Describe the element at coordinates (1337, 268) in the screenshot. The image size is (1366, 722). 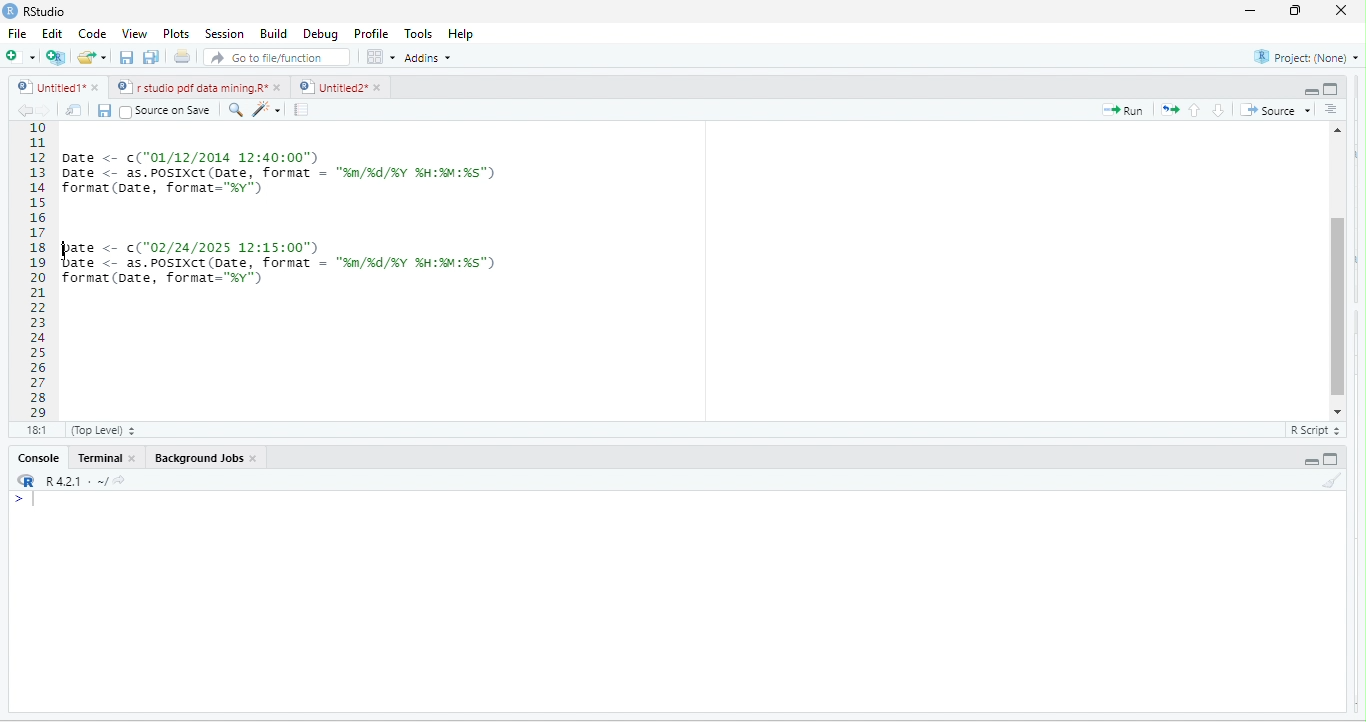
I see `vertical scroll bar` at that location.